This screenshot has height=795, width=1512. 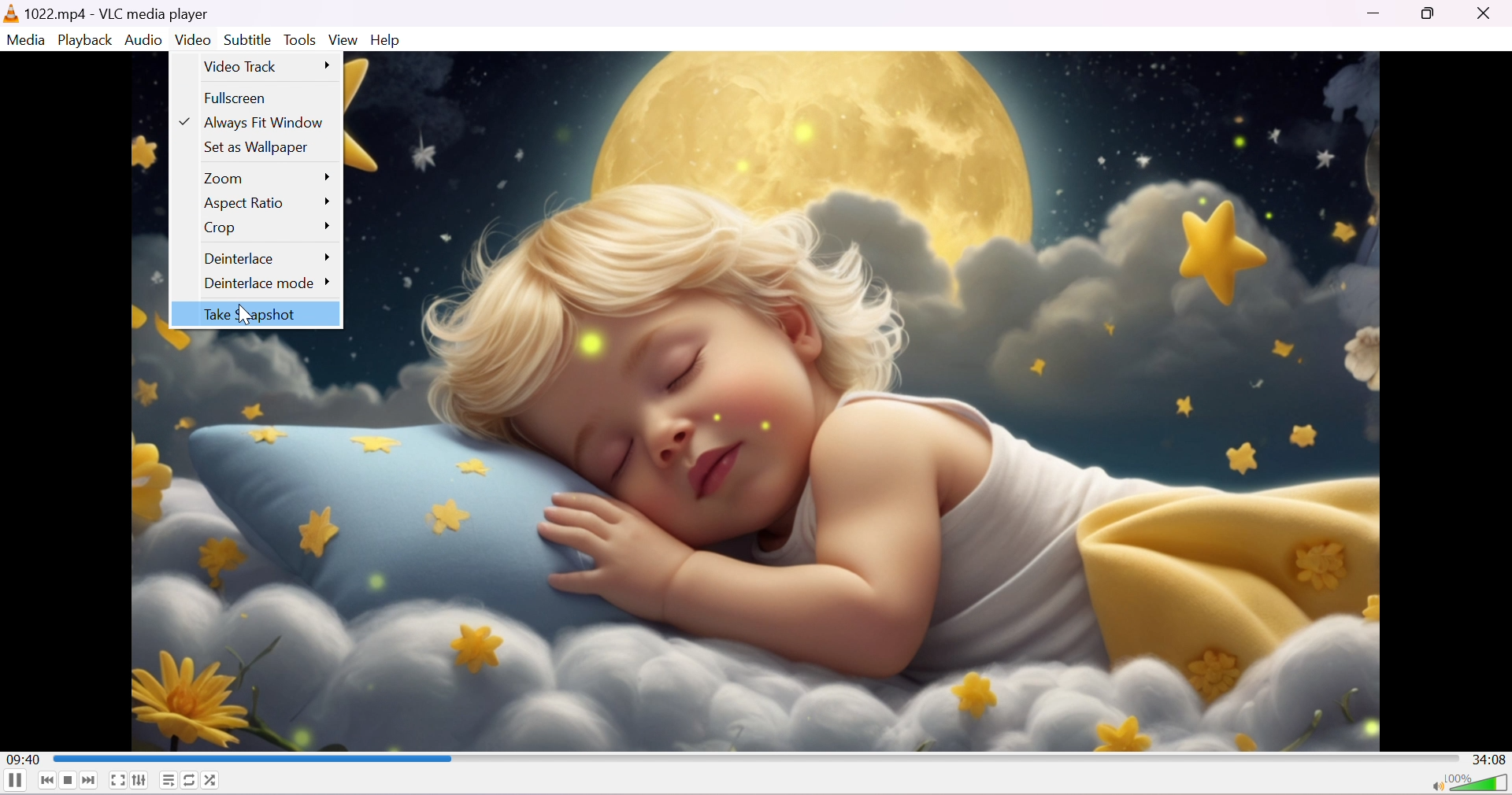 What do you see at coordinates (143, 41) in the screenshot?
I see `Audio` at bounding box center [143, 41].